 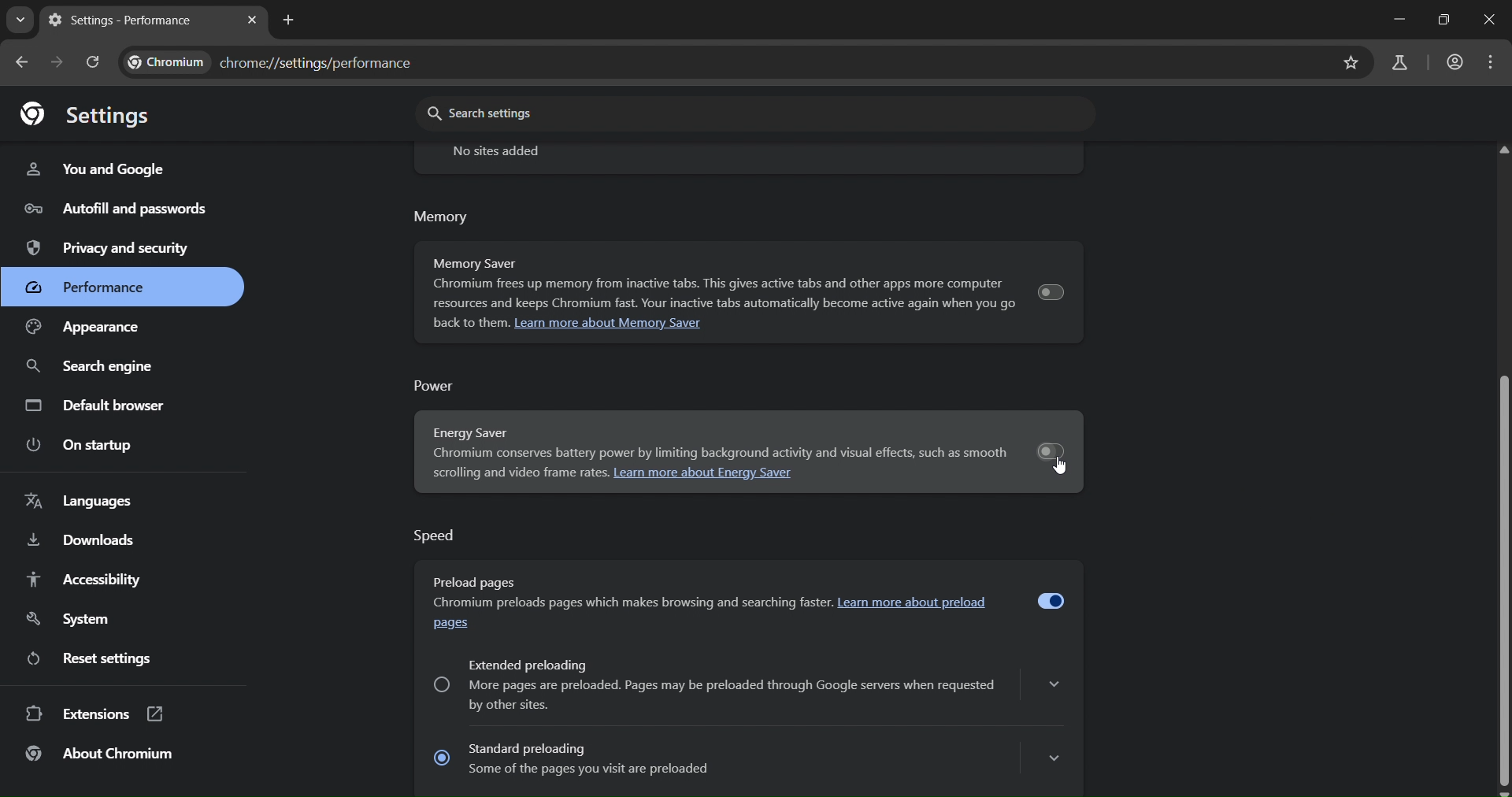 What do you see at coordinates (1494, 63) in the screenshot?
I see `menu` at bounding box center [1494, 63].